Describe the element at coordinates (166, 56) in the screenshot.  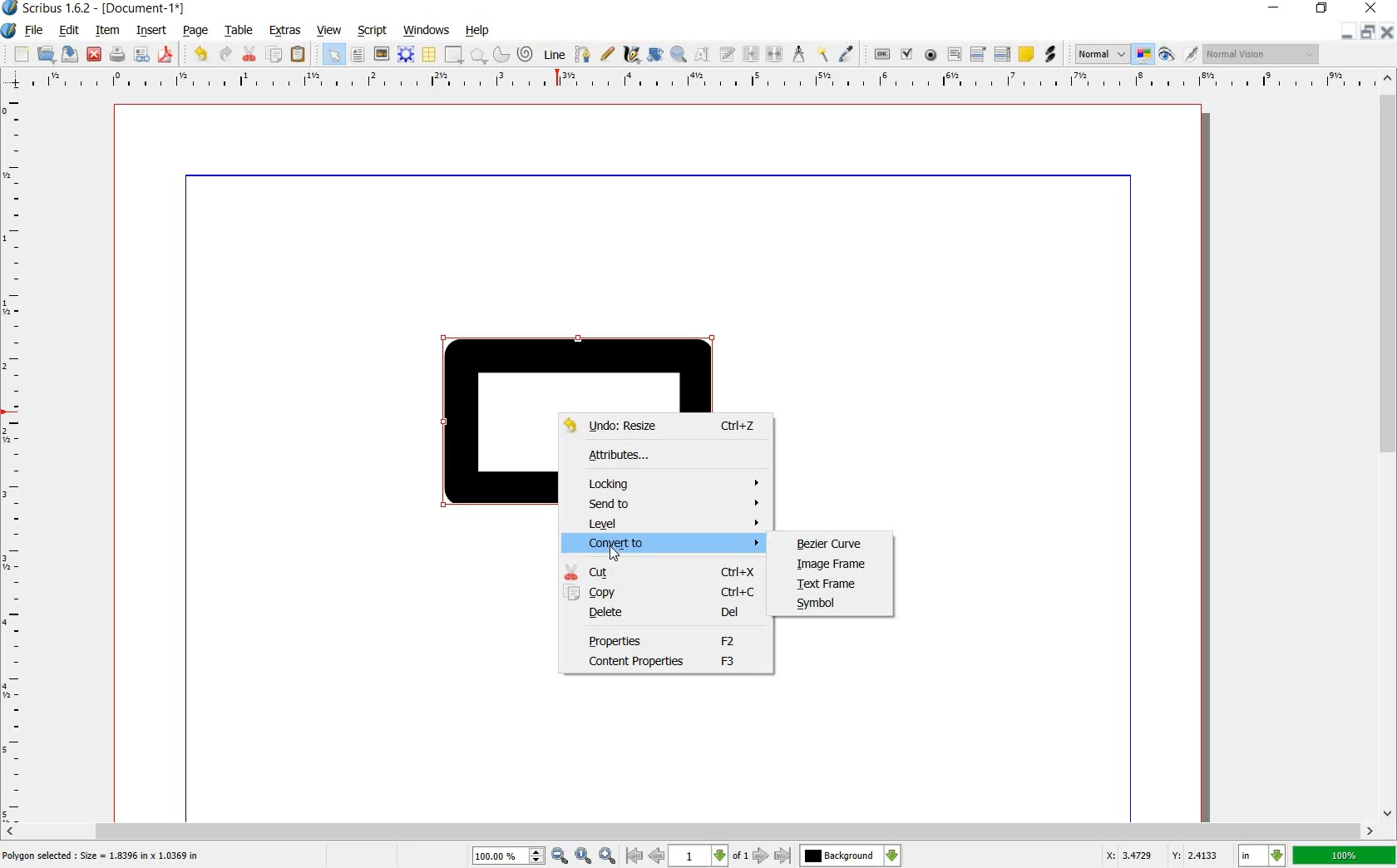
I see `save as pdf` at that location.